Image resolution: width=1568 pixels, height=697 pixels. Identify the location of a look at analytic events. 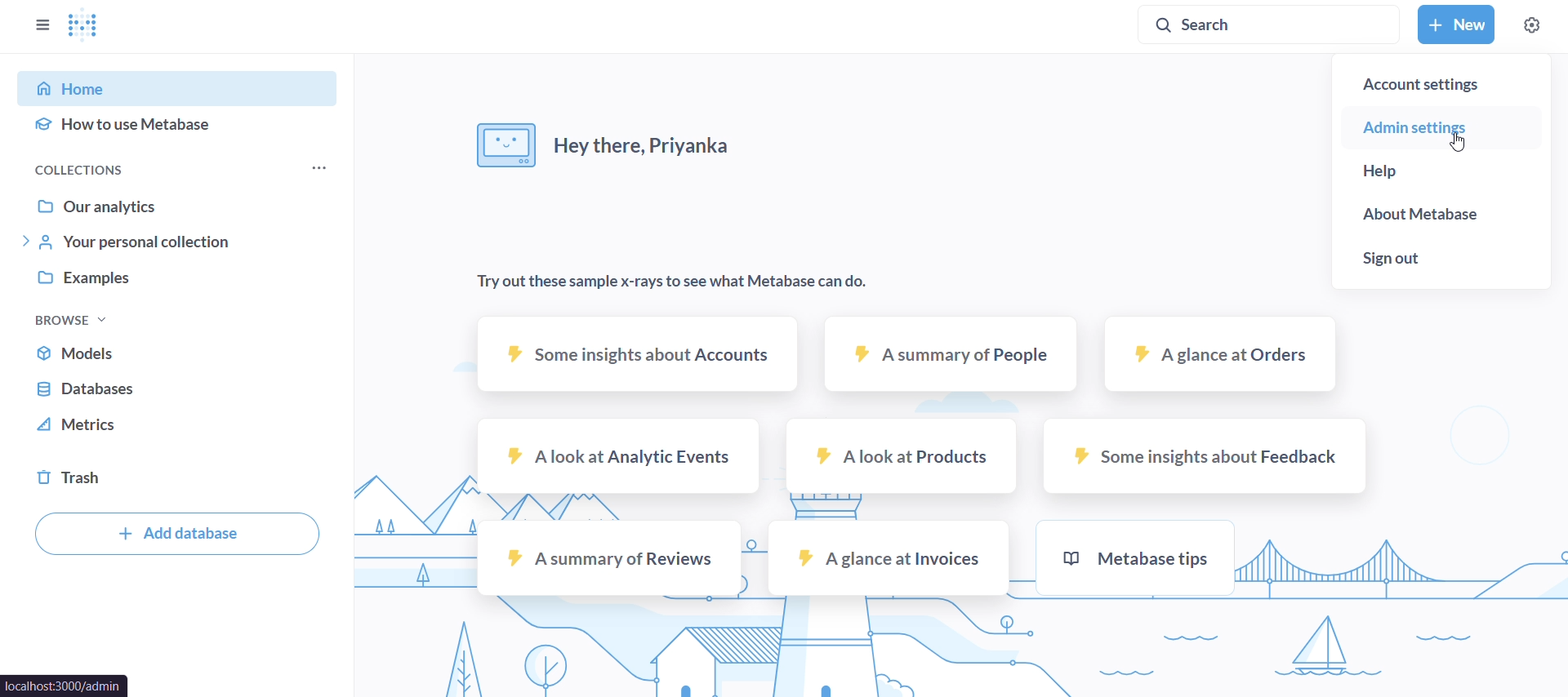
(620, 455).